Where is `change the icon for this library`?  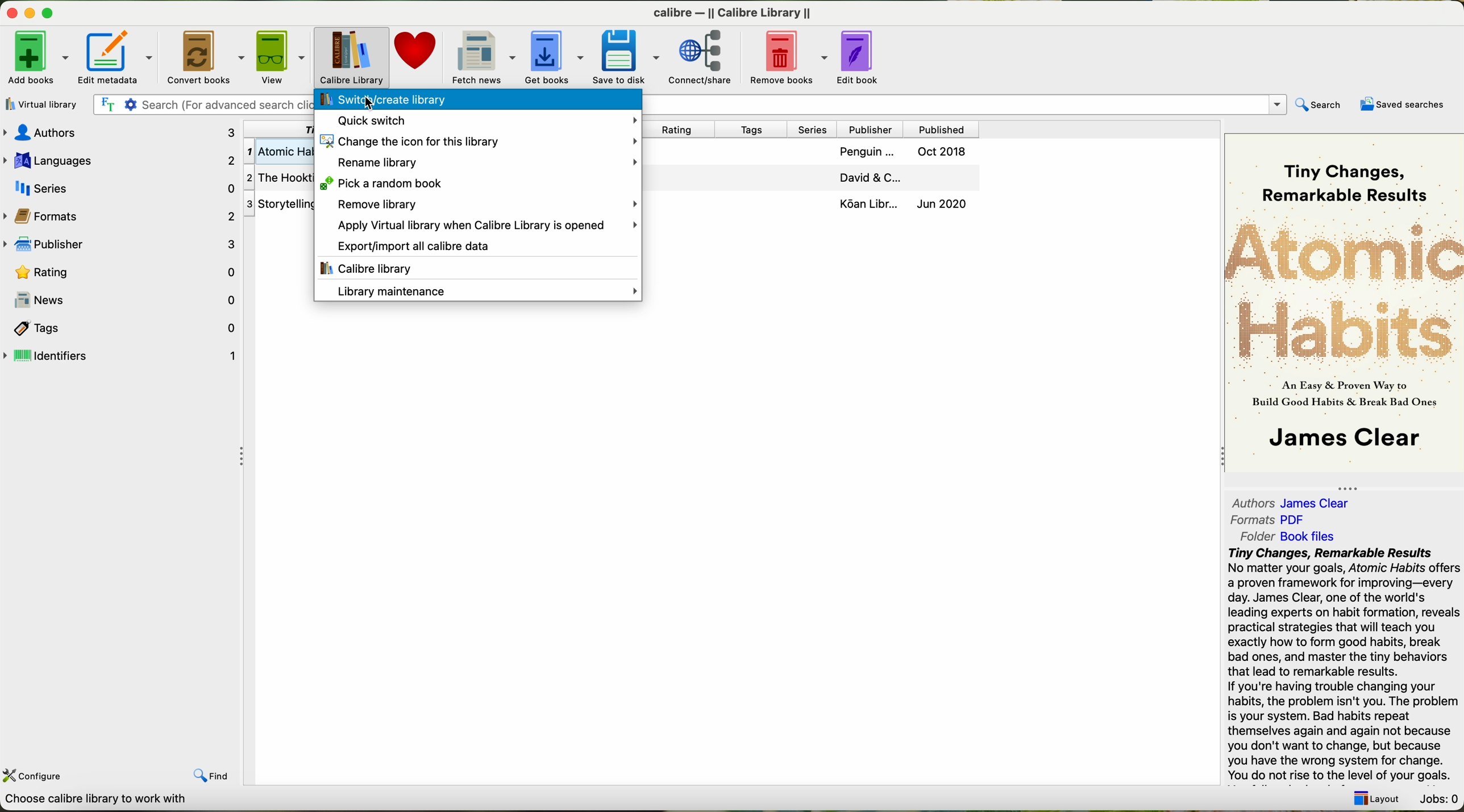 change the icon for this library is located at coordinates (477, 140).